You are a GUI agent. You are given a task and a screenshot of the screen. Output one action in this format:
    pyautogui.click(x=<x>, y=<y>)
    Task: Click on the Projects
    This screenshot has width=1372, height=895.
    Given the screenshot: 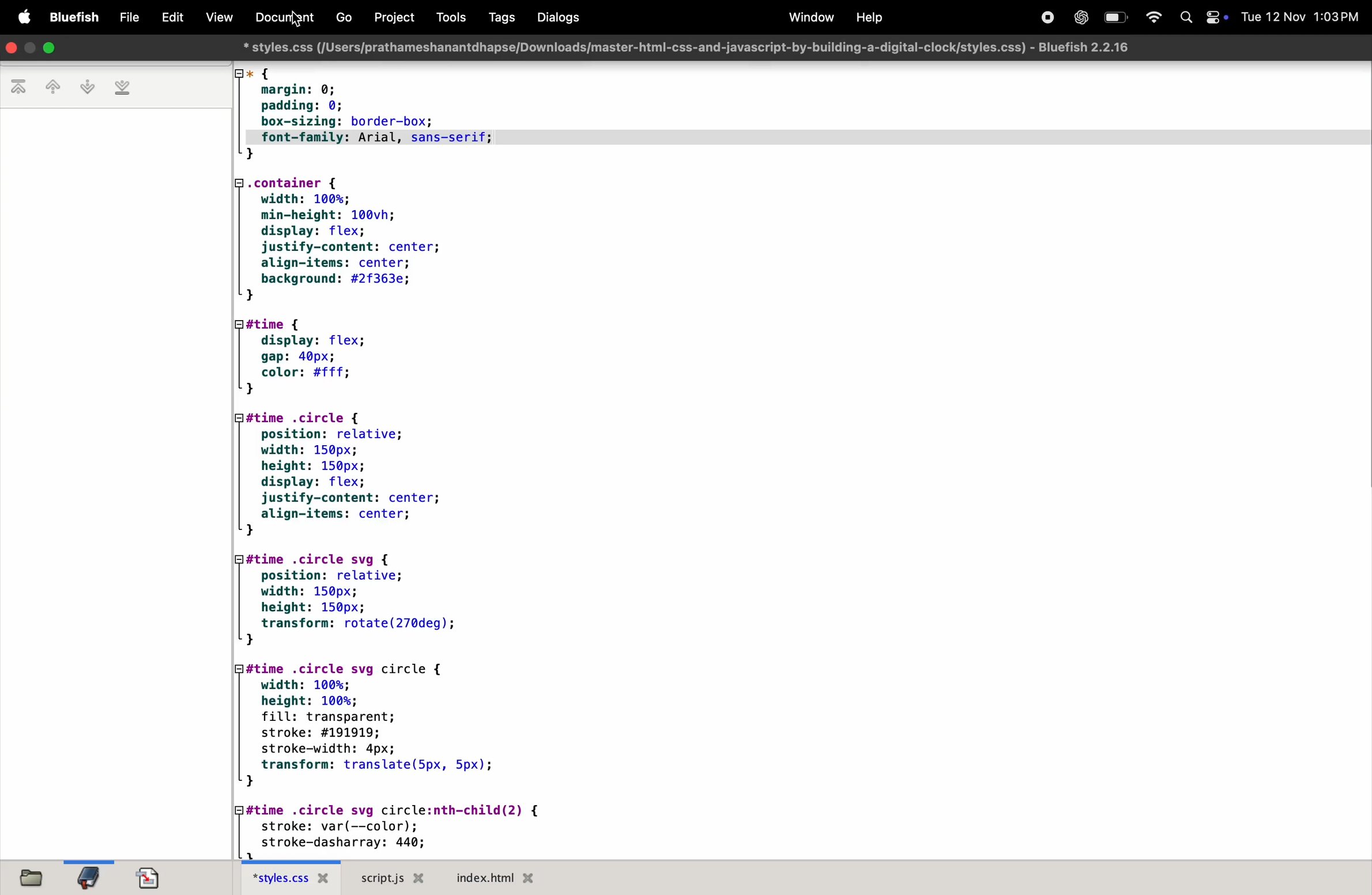 What is the action you would take?
    pyautogui.click(x=397, y=17)
    